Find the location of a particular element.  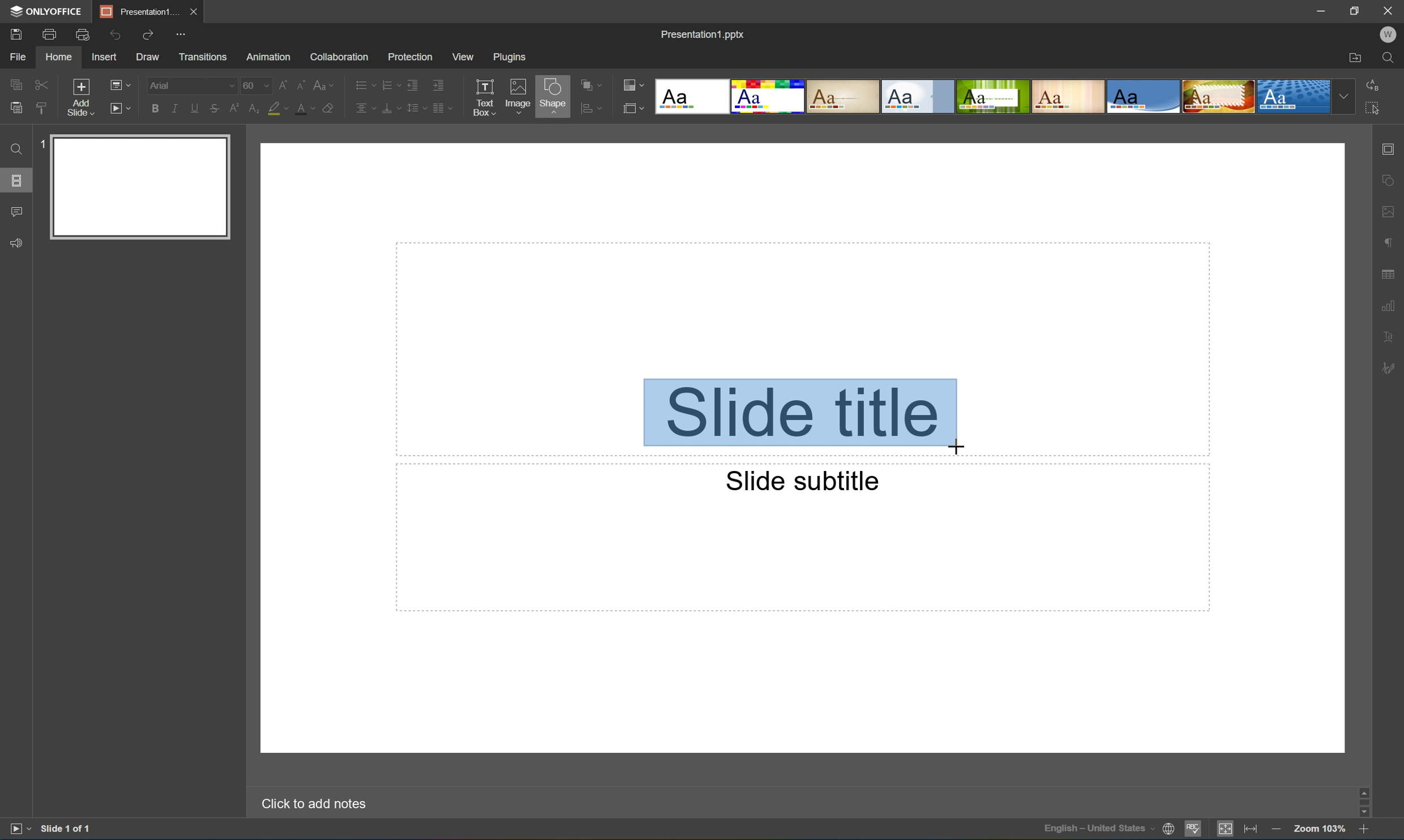

View is located at coordinates (461, 55).